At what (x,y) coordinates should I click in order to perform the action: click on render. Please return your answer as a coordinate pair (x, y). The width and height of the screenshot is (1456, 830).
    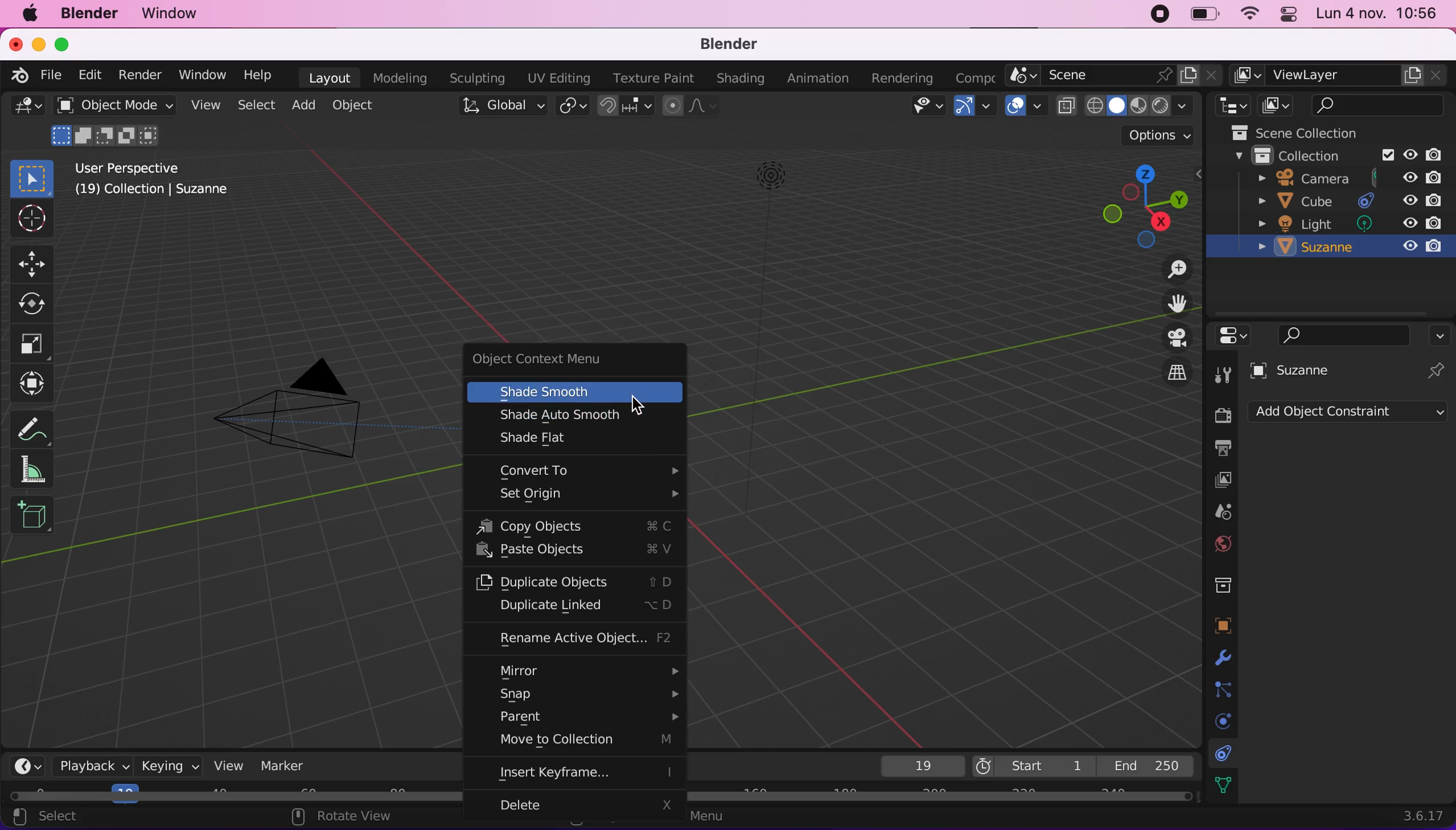
    Looking at the image, I should click on (1220, 416).